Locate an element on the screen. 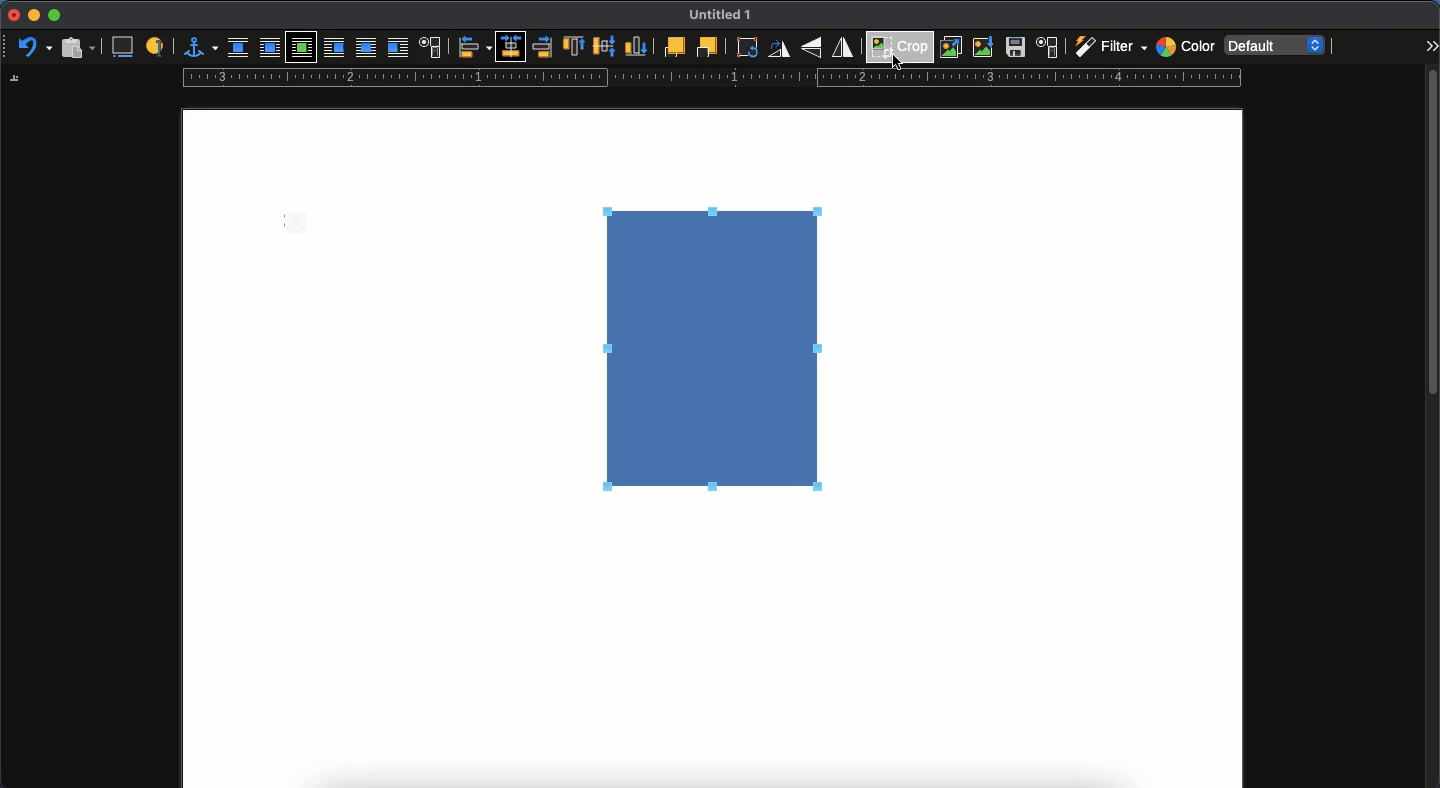 The image size is (1440, 788). default is located at coordinates (1277, 44).